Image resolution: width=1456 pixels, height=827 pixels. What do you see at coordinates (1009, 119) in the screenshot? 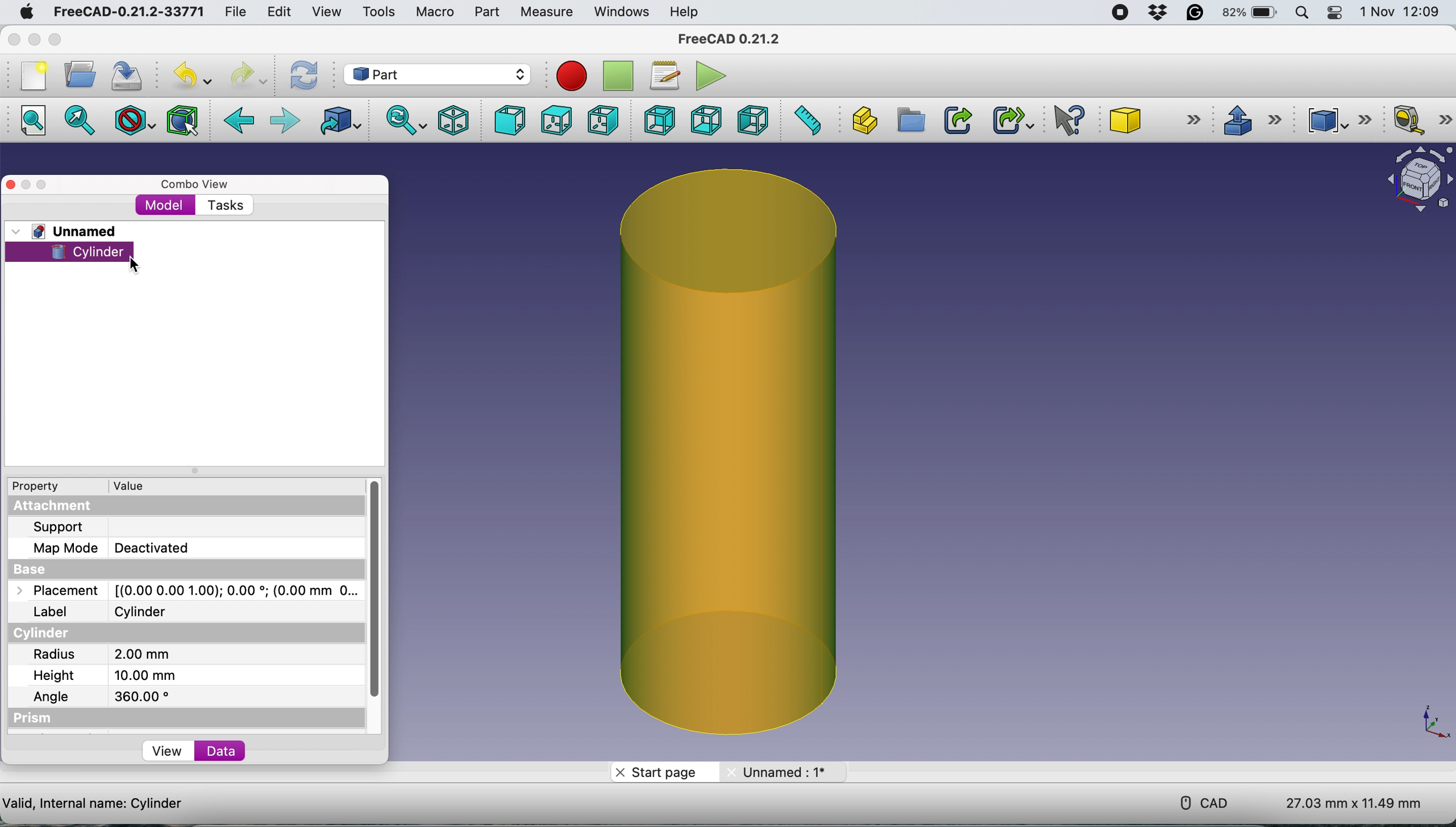
I see `make sub link` at bounding box center [1009, 119].